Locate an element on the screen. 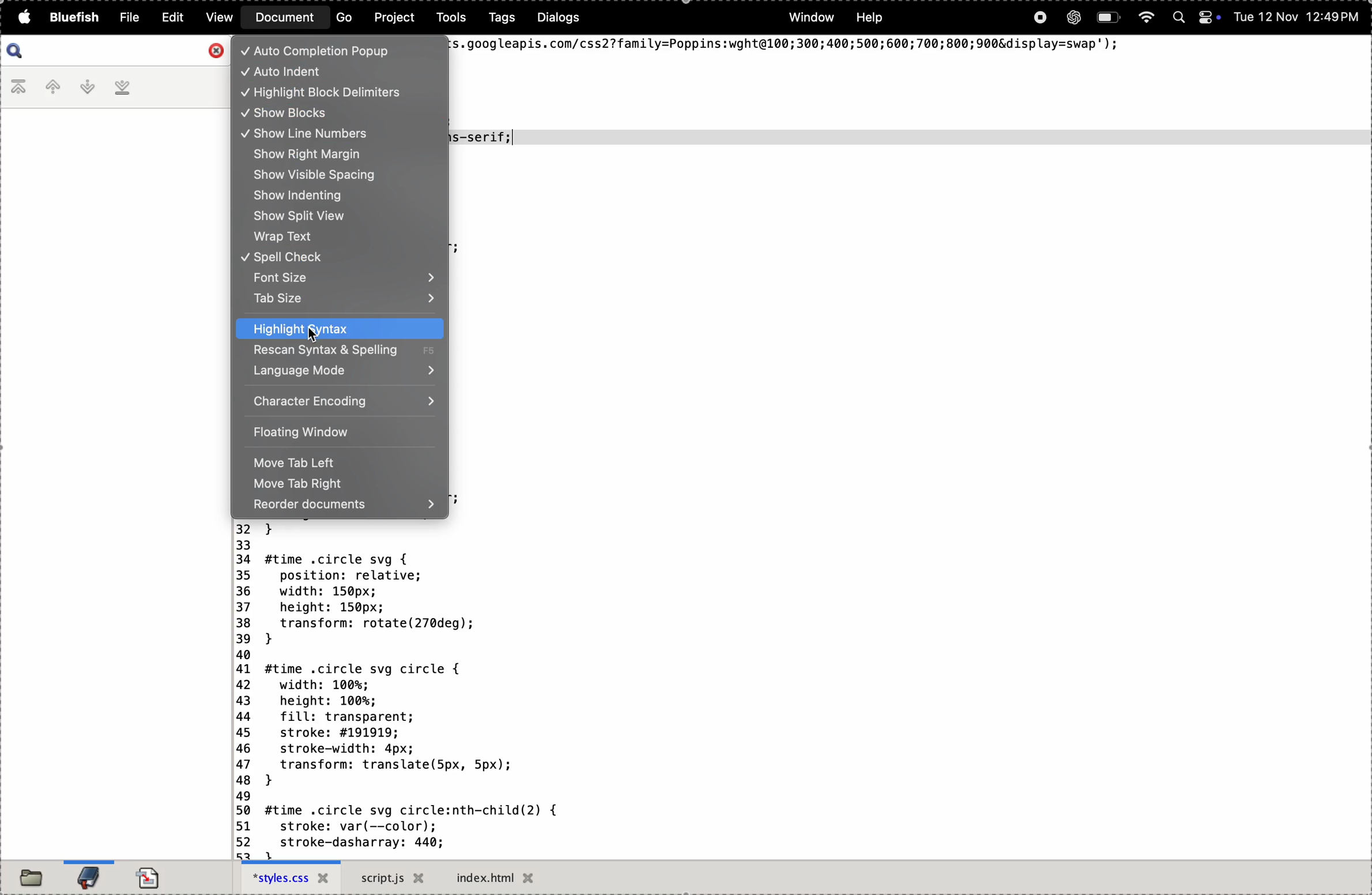  language mode is located at coordinates (340, 370).